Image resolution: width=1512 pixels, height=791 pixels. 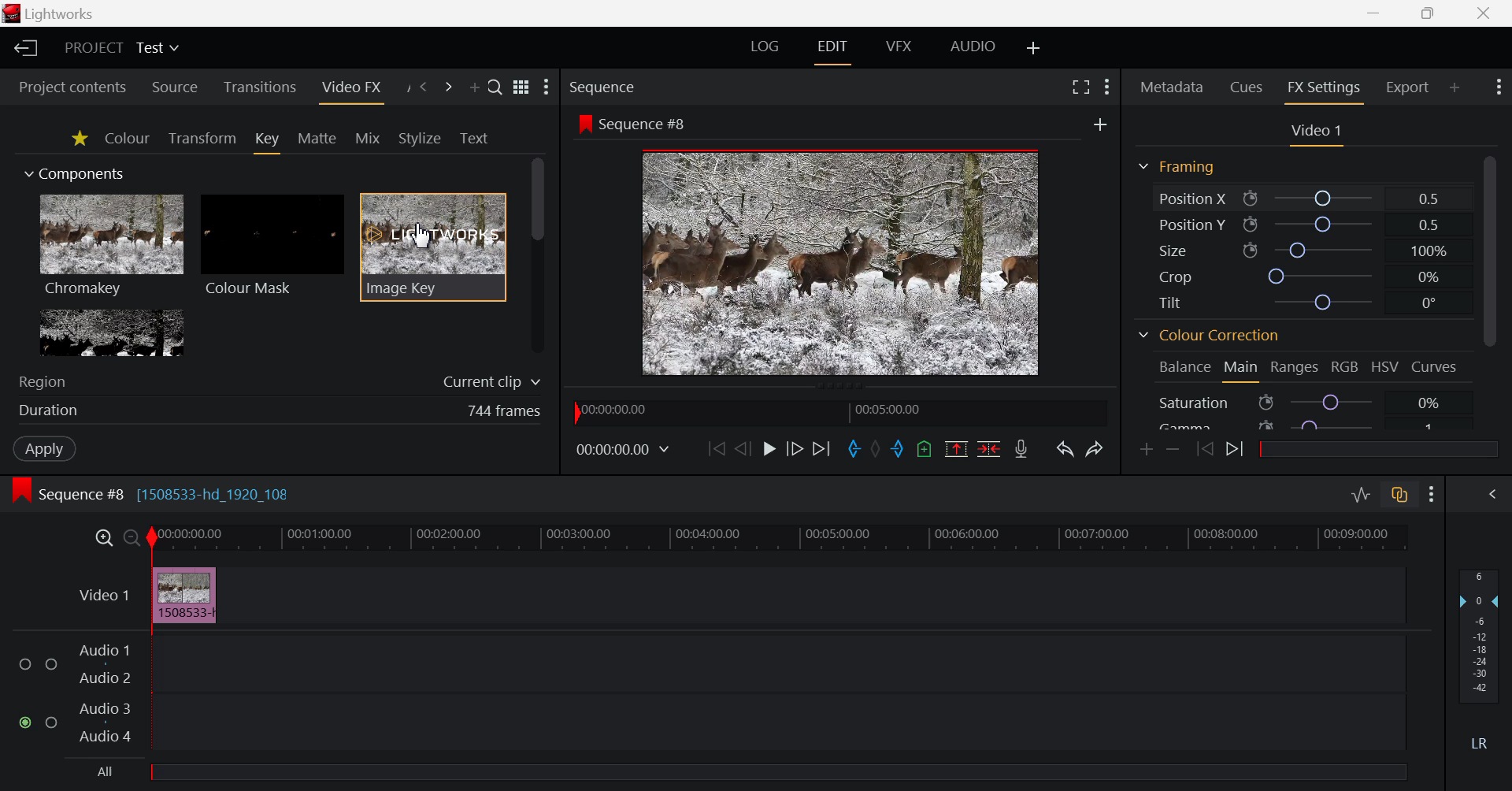 What do you see at coordinates (1346, 369) in the screenshot?
I see `RGB` at bounding box center [1346, 369].